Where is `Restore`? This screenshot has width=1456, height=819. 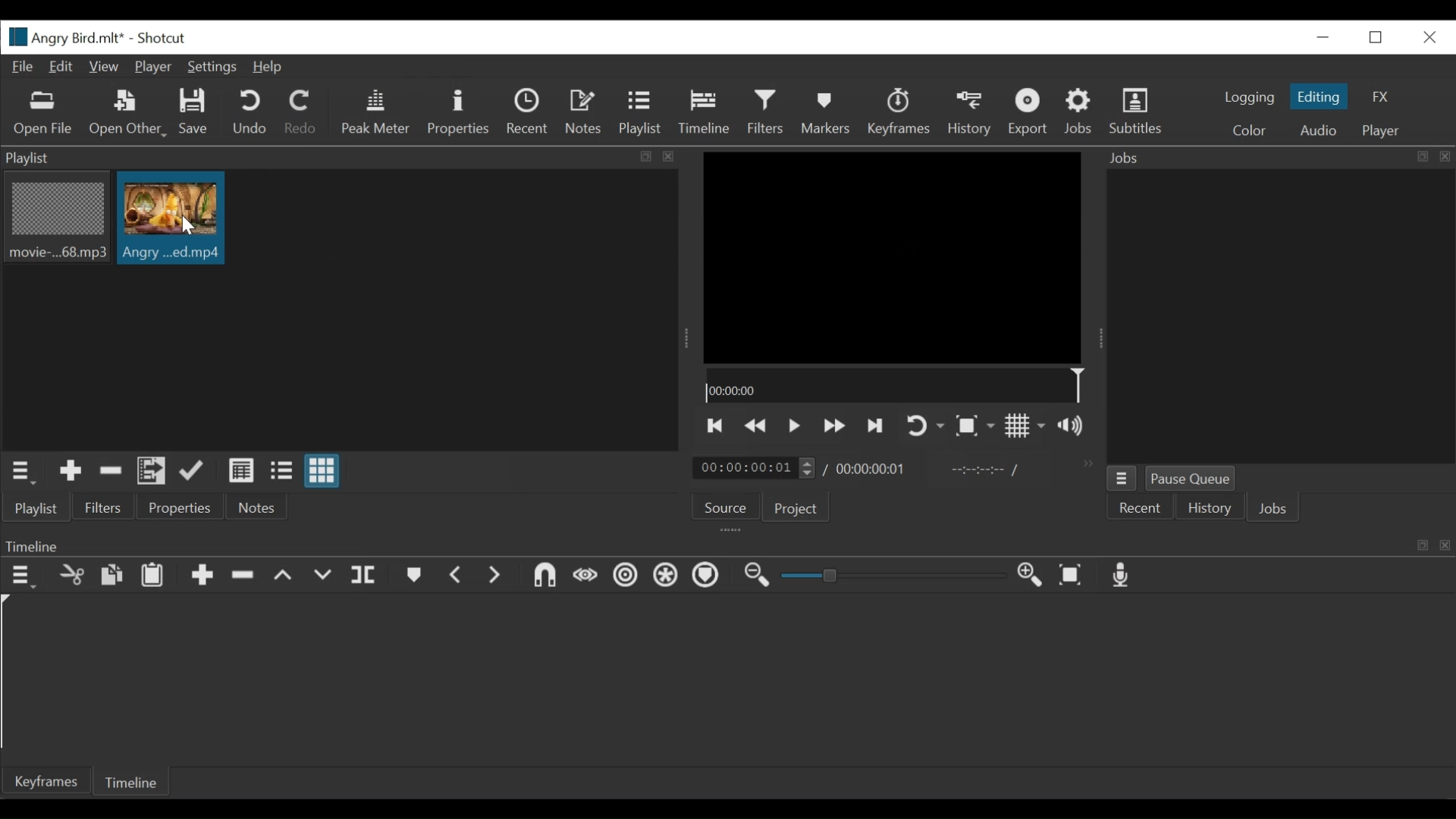 Restore is located at coordinates (1375, 37).